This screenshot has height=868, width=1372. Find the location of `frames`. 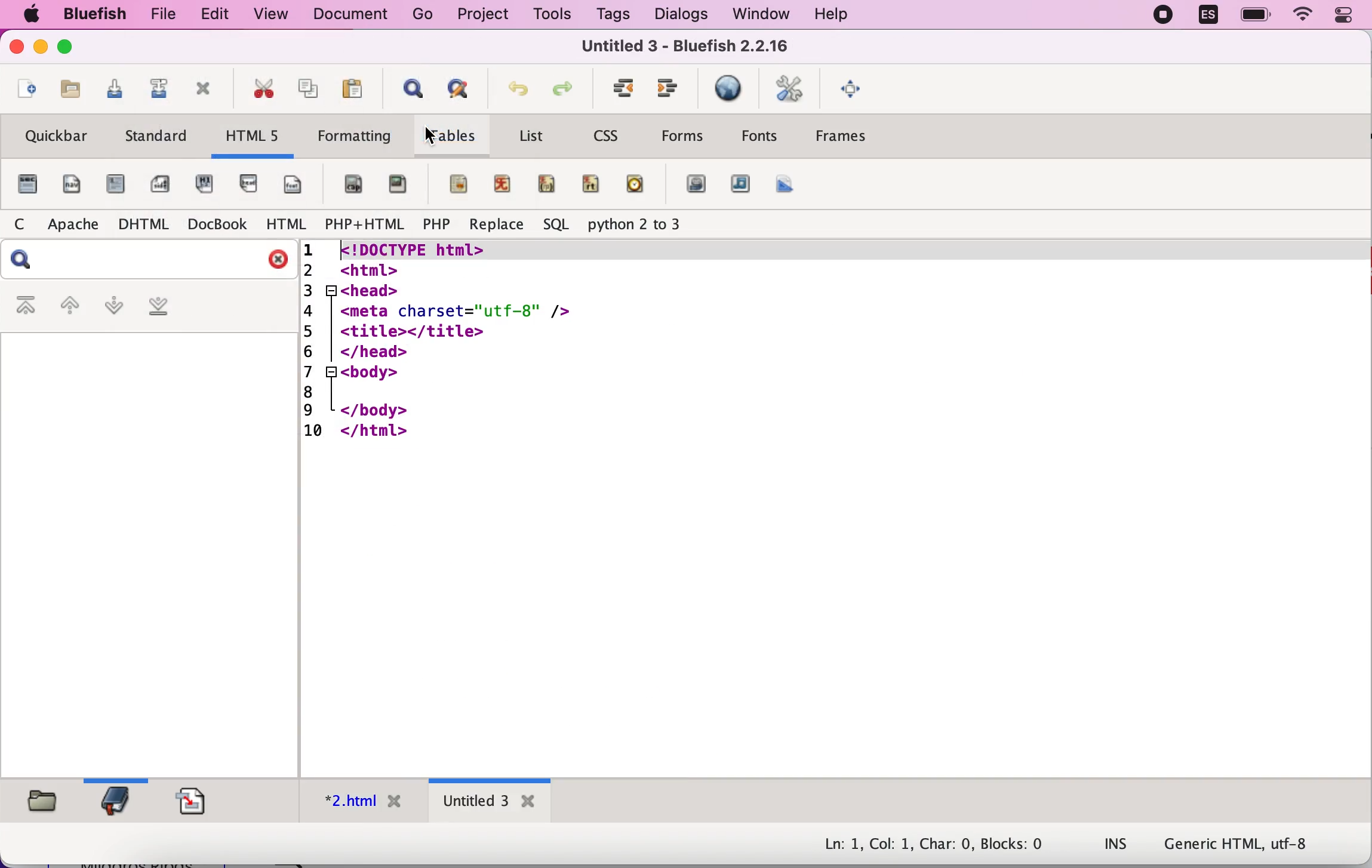

frames is located at coordinates (859, 138).